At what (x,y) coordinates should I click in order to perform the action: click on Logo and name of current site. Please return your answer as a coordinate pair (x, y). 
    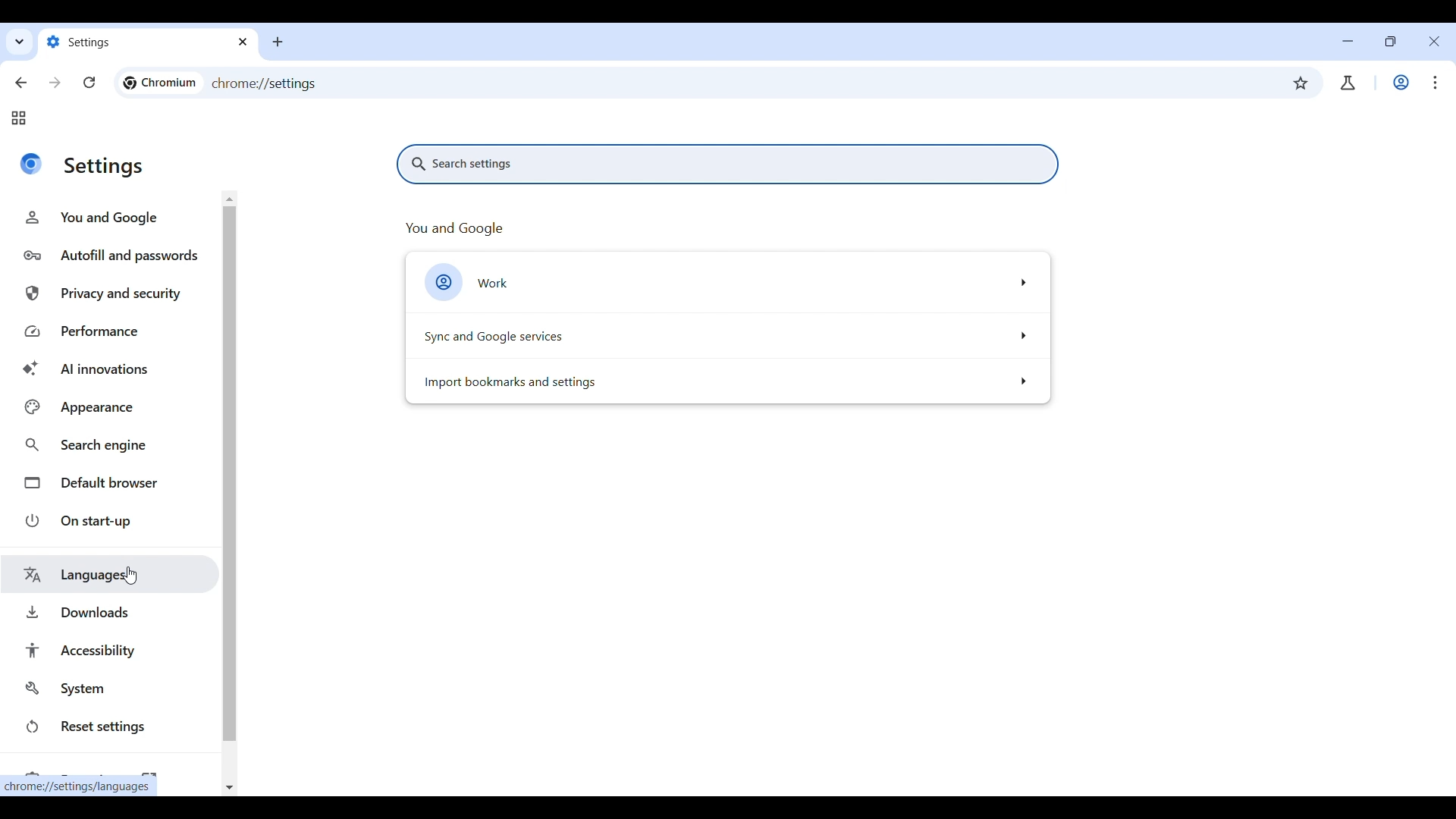
    Looking at the image, I should click on (160, 83).